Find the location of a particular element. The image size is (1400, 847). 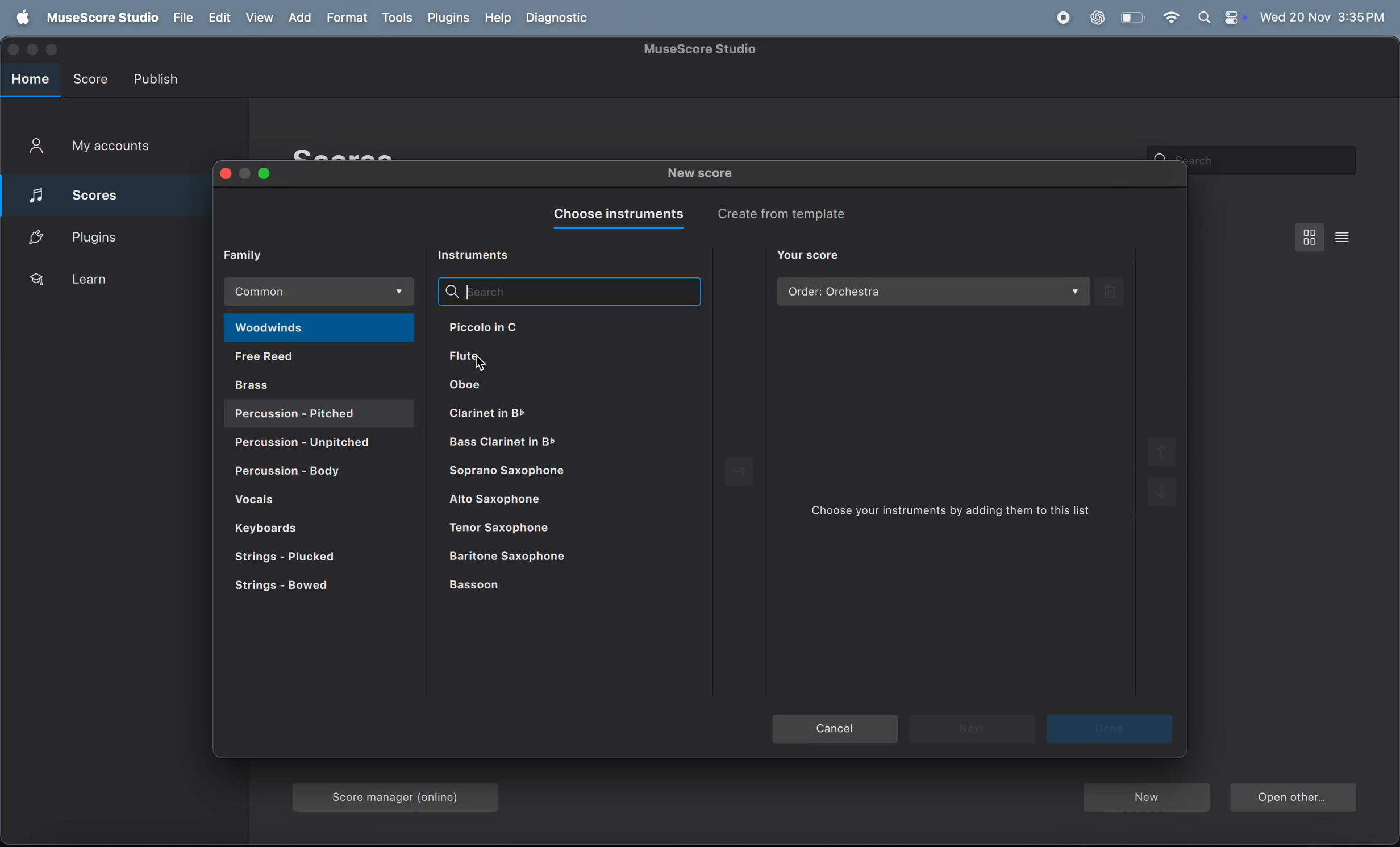

minimize is located at coordinates (246, 174).